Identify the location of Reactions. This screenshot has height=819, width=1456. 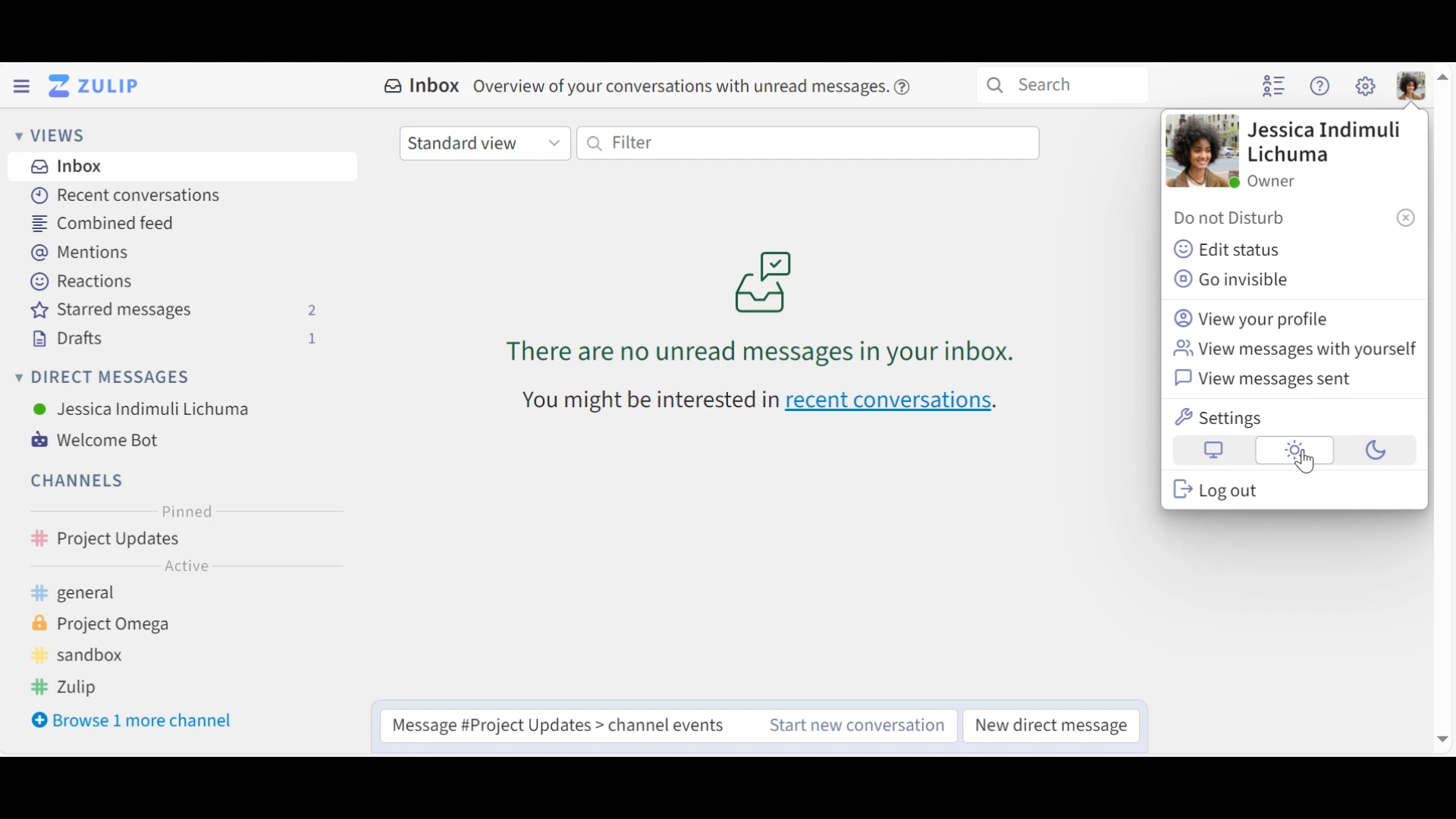
(80, 280).